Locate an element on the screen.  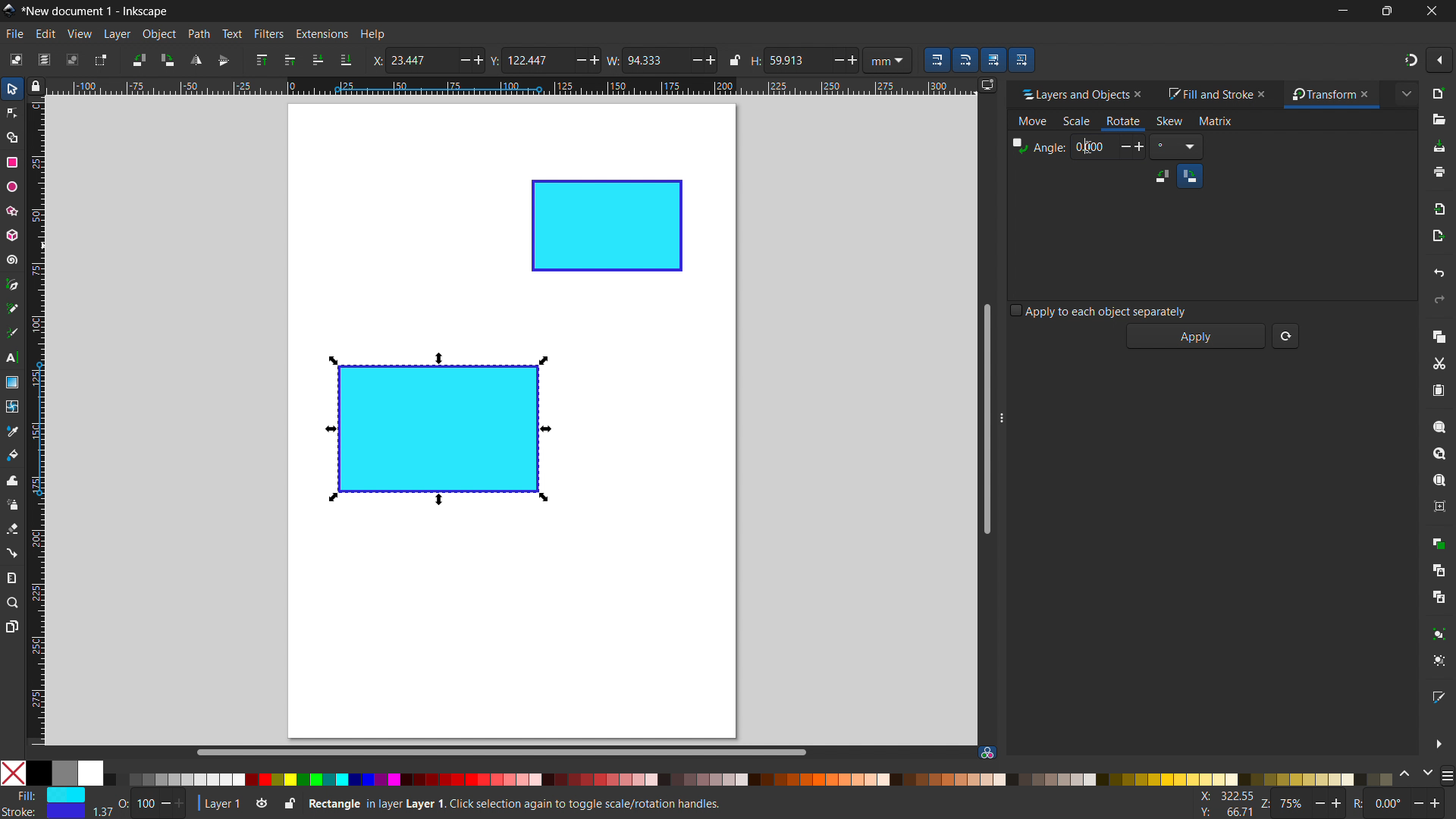
matrix is located at coordinates (1216, 121).